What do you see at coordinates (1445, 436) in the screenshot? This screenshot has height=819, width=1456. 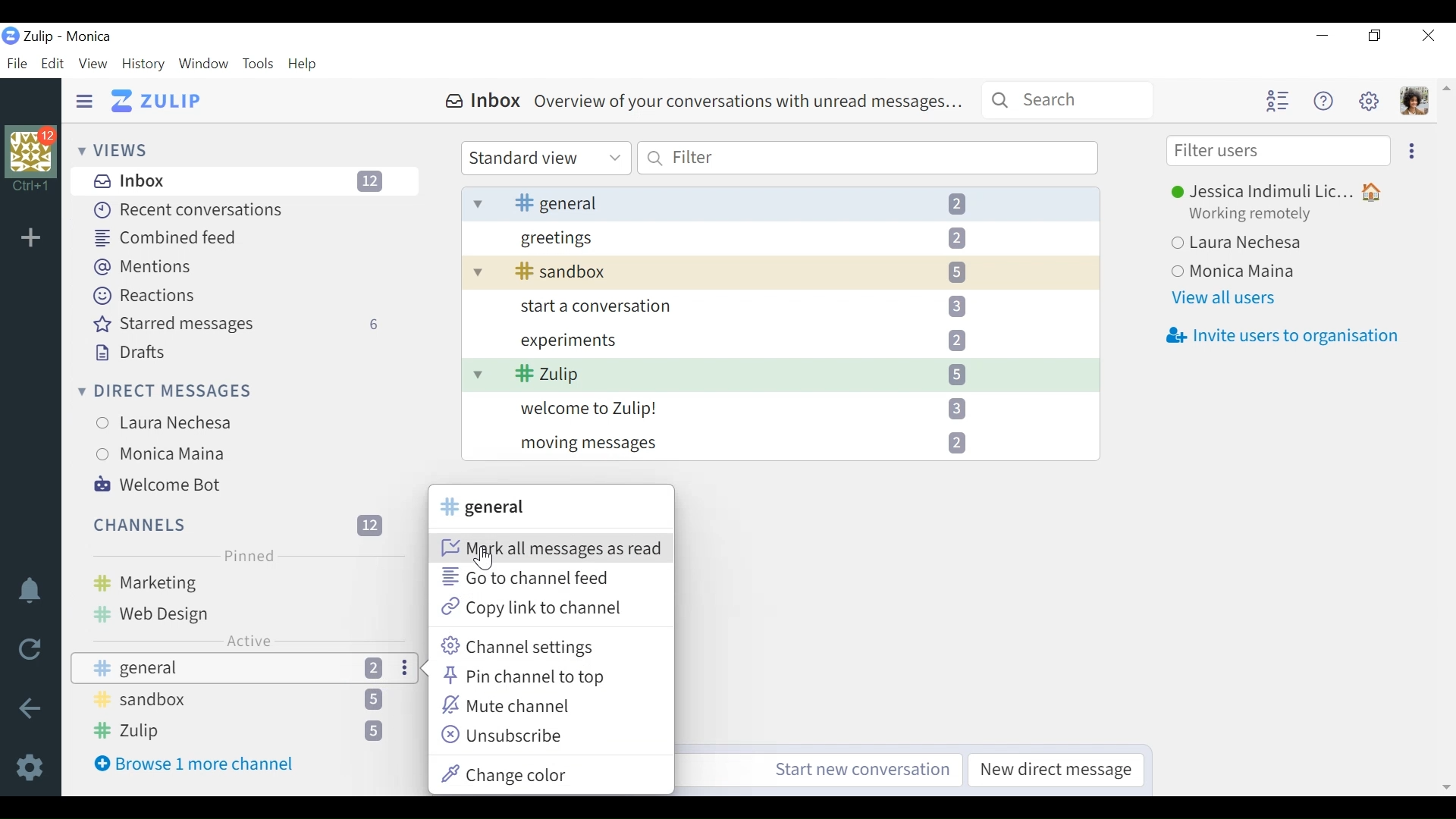 I see `Scrollbar` at bounding box center [1445, 436].